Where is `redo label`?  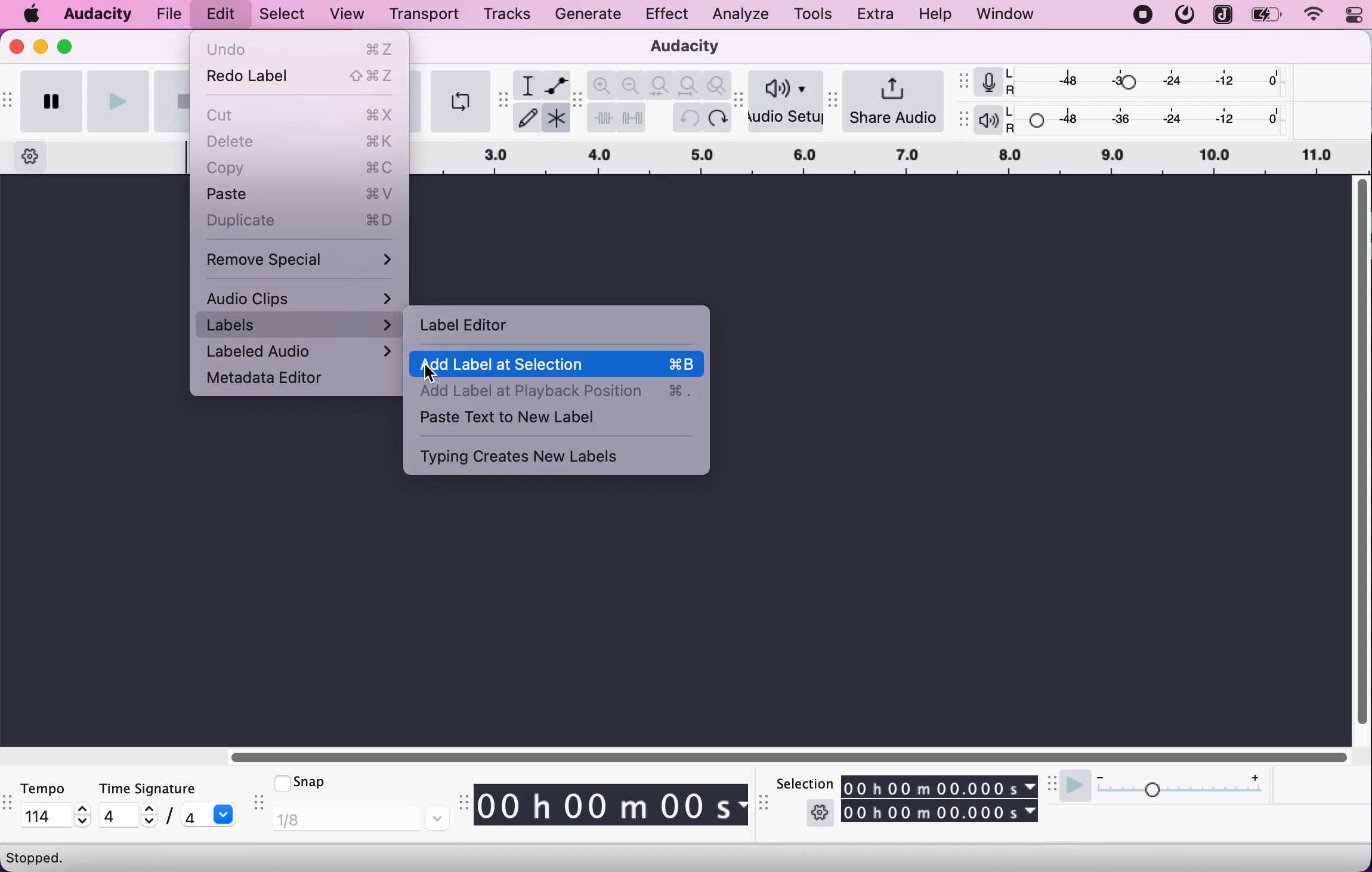
redo label is located at coordinates (301, 79).